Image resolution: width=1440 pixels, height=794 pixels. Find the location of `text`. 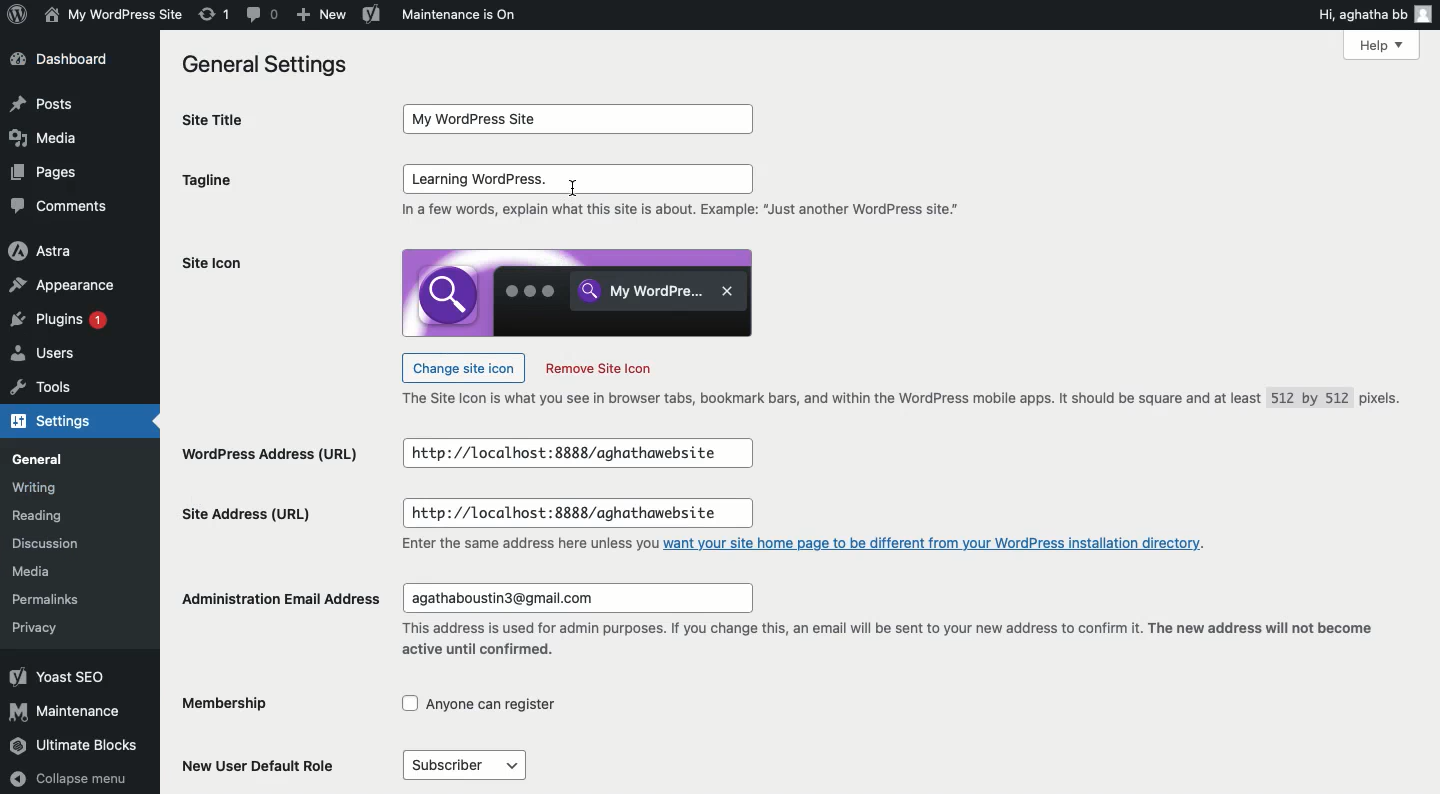

text is located at coordinates (525, 541).